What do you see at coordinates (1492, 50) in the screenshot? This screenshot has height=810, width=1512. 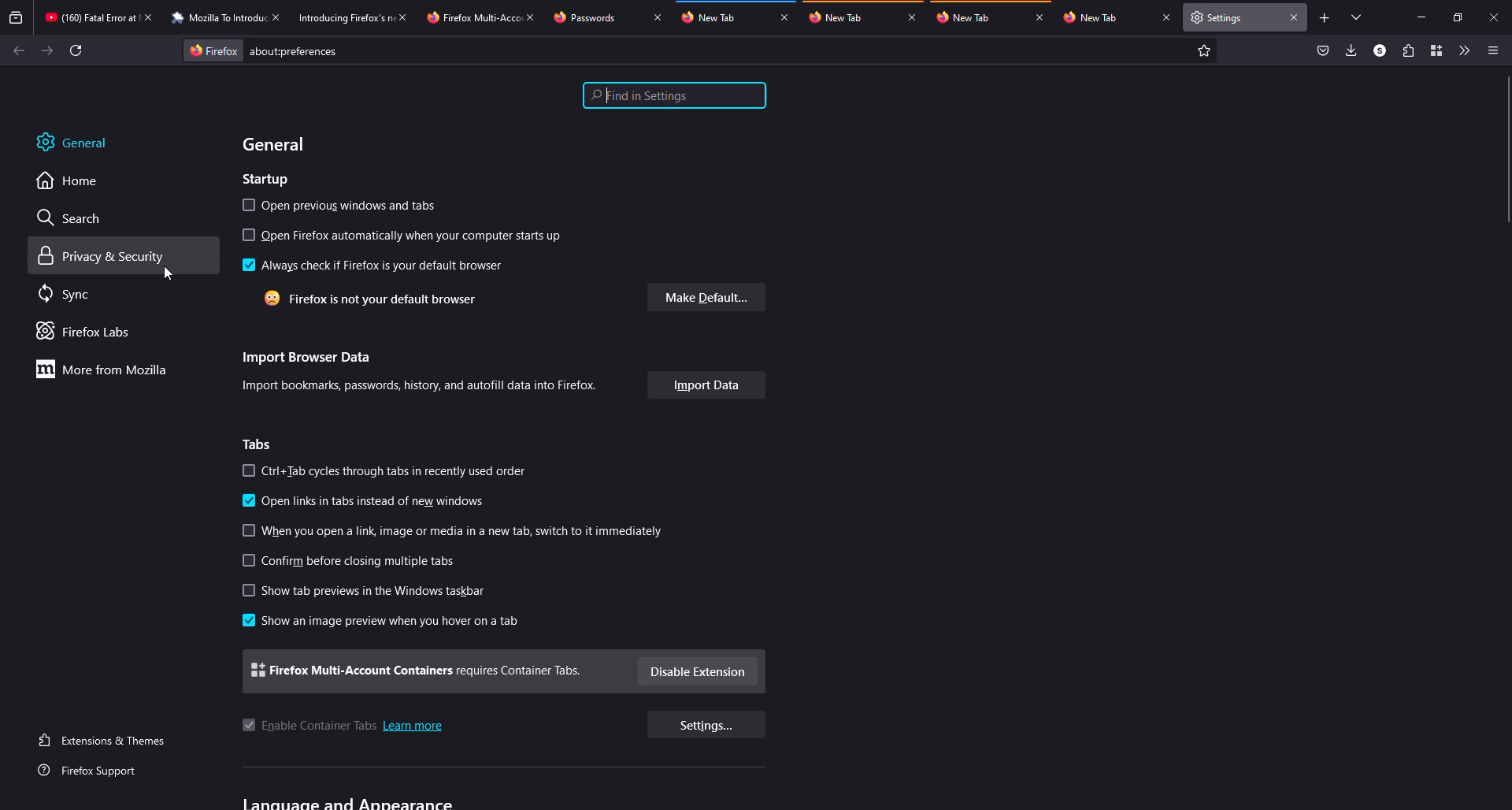 I see `menu` at bounding box center [1492, 50].